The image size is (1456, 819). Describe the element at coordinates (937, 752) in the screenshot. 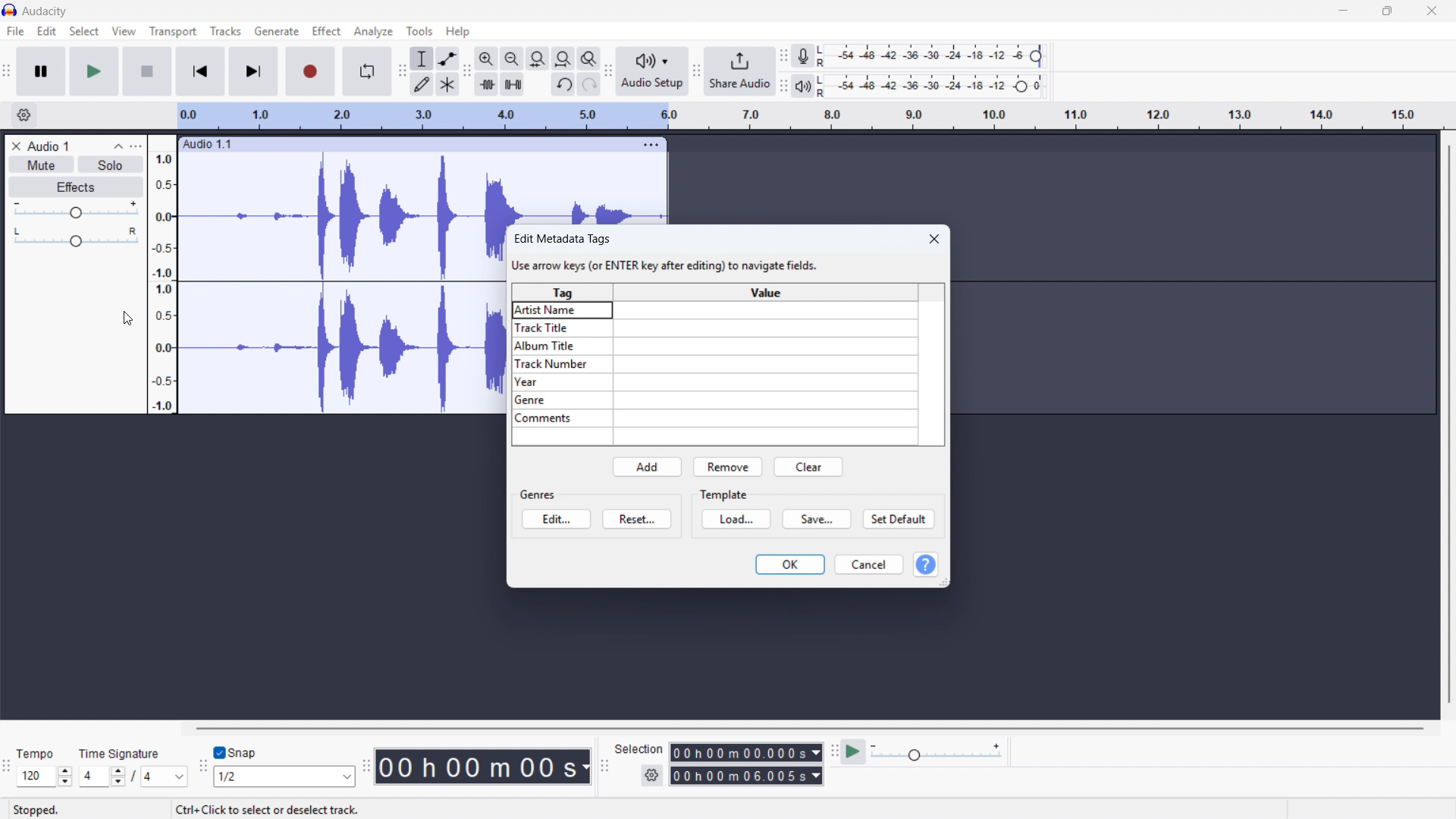

I see `playback speed` at that location.